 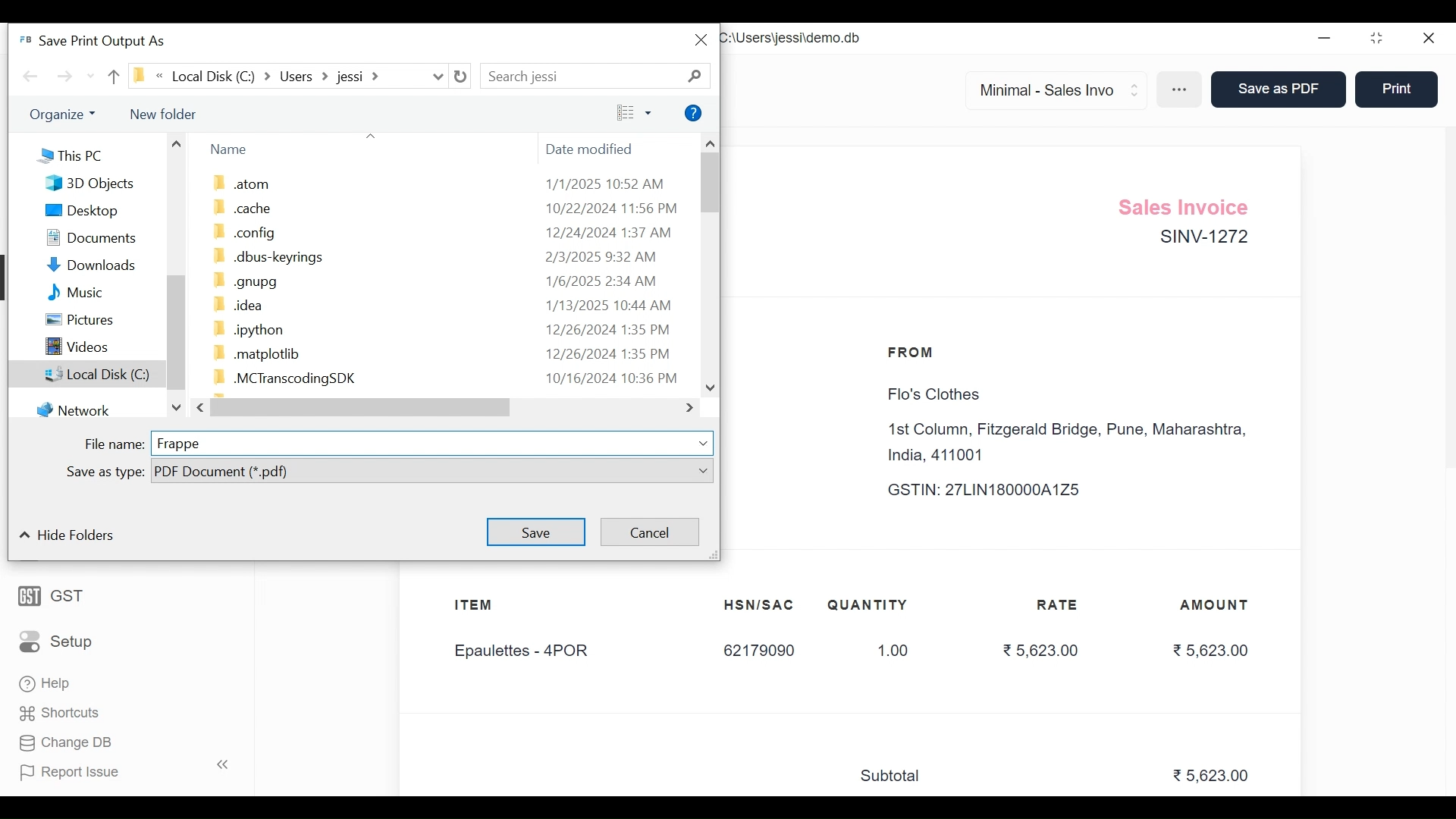 What do you see at coordinates (32, 77) in the screenshot?
I see `Back` at bounding box center [32, 77].